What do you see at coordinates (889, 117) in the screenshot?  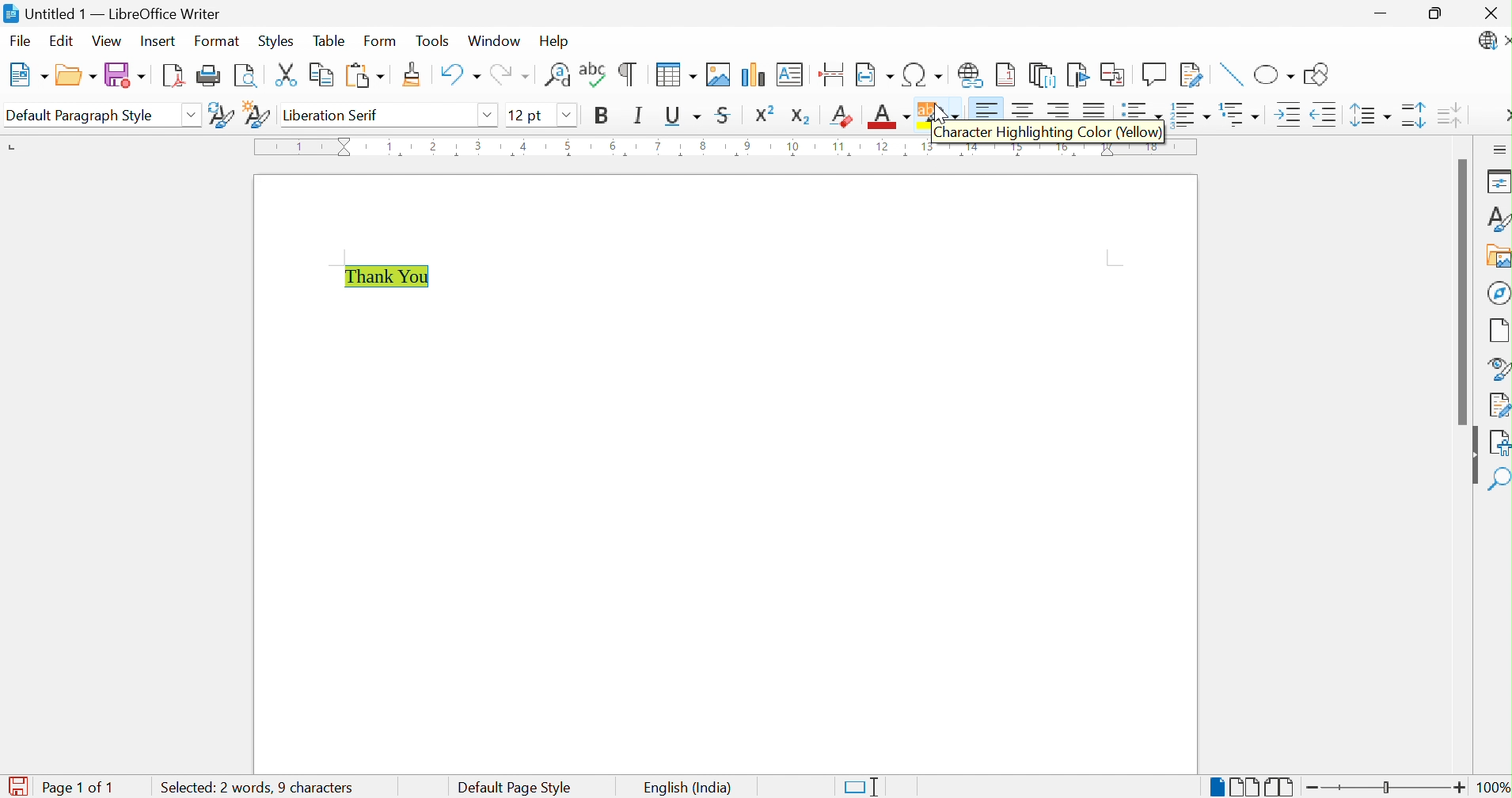 I see `Font Color` at bounding box center [889, 117].